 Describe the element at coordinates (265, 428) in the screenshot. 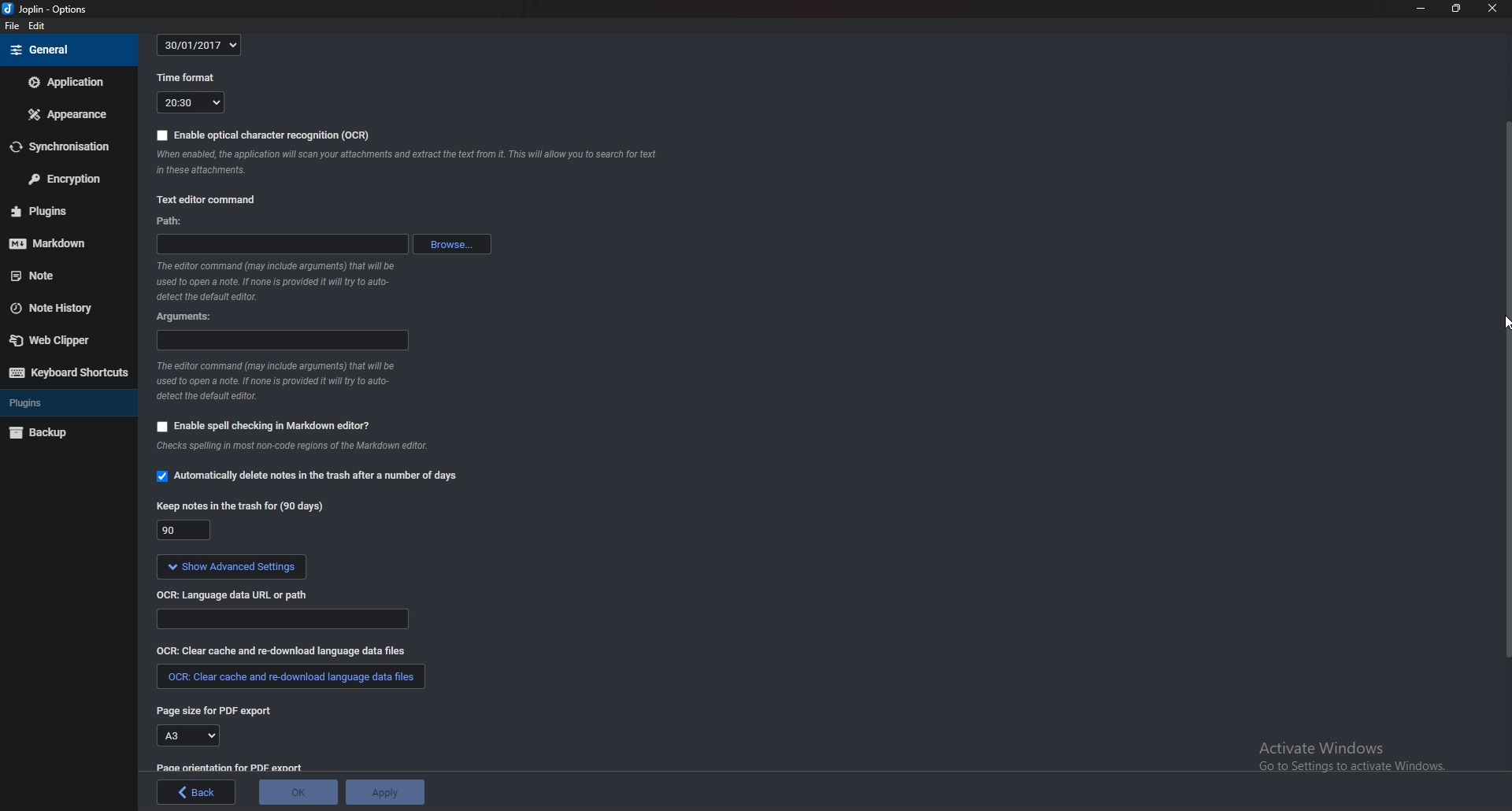

I see `Enable spell checking` at that location.